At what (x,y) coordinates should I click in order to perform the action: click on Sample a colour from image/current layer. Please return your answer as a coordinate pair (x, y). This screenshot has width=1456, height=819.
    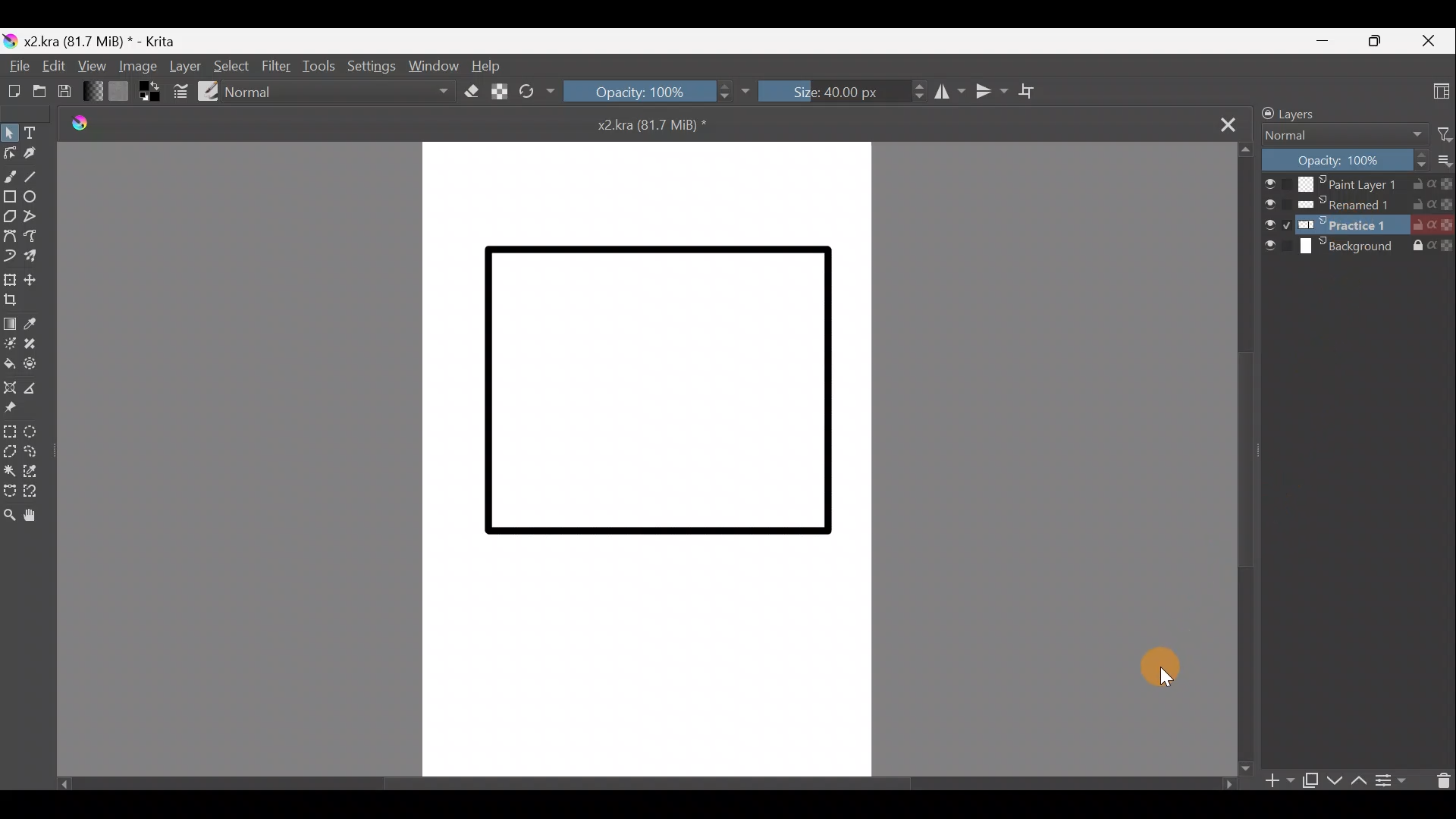
    Looking at the image, I should click on (37, 324).